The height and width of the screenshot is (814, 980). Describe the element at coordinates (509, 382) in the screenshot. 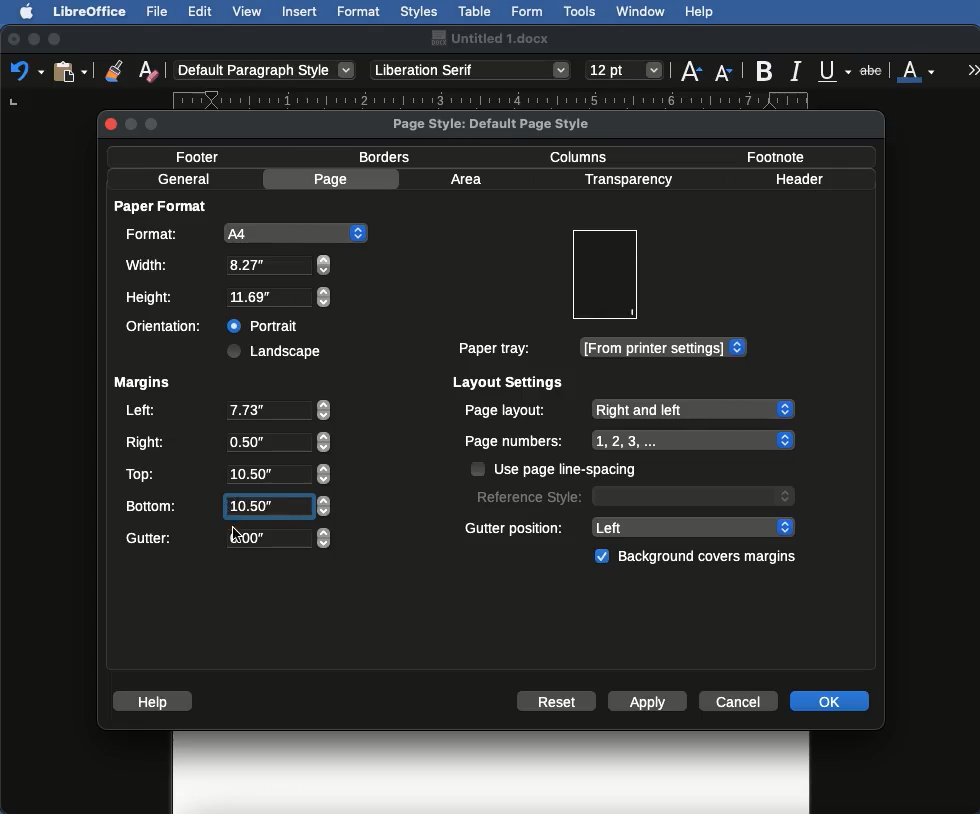

I see `Layout settings` at that location.